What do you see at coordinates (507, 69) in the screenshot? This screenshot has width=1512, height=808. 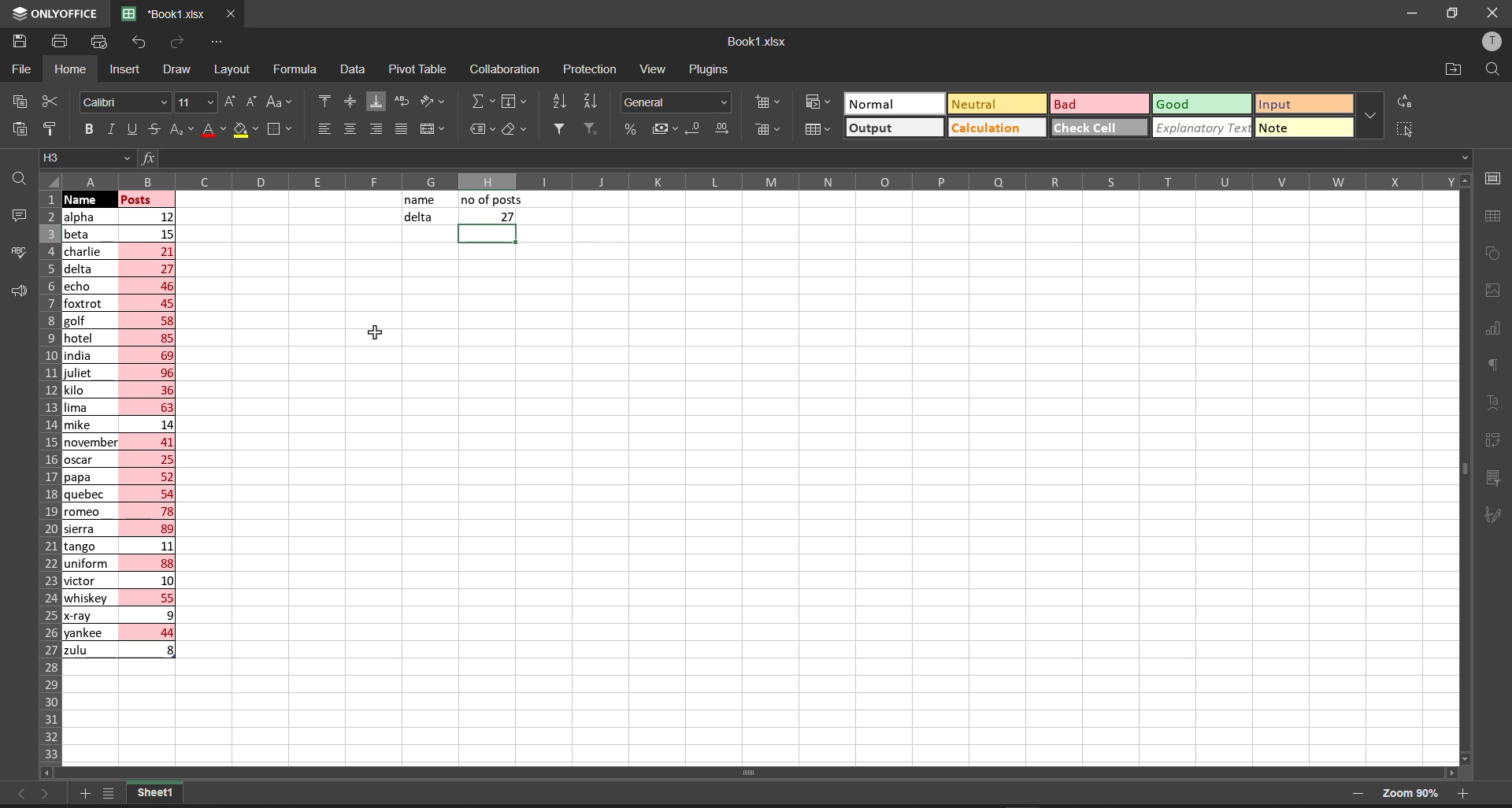 I see `collaboration` at bounding box center [507, 69].